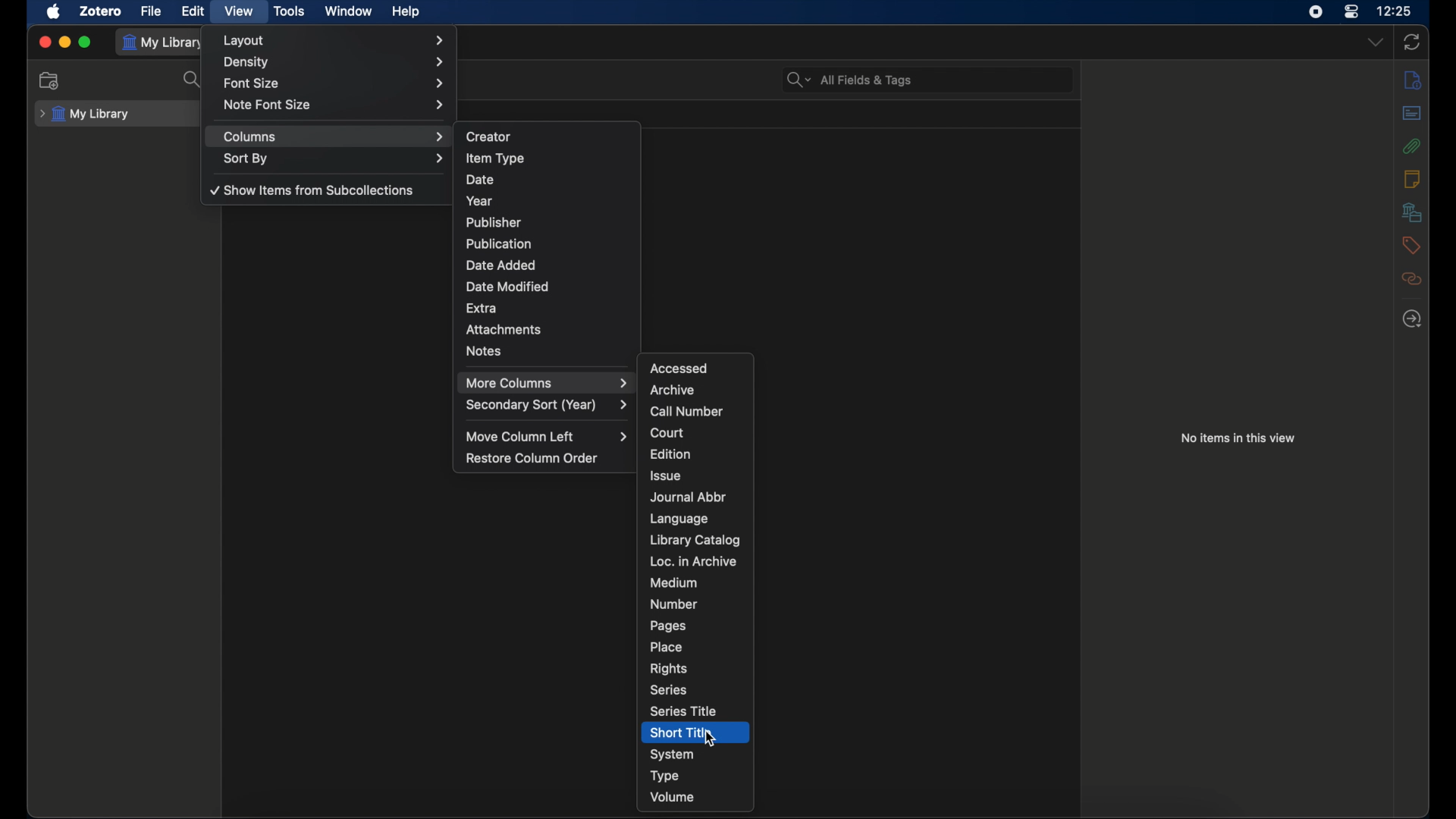 Image resolution: width=1456 pixels, height=819 pixels. What do you see at coordinates (666, 647) in the screenshot?
I see `place` at bounding box center [666, 647].